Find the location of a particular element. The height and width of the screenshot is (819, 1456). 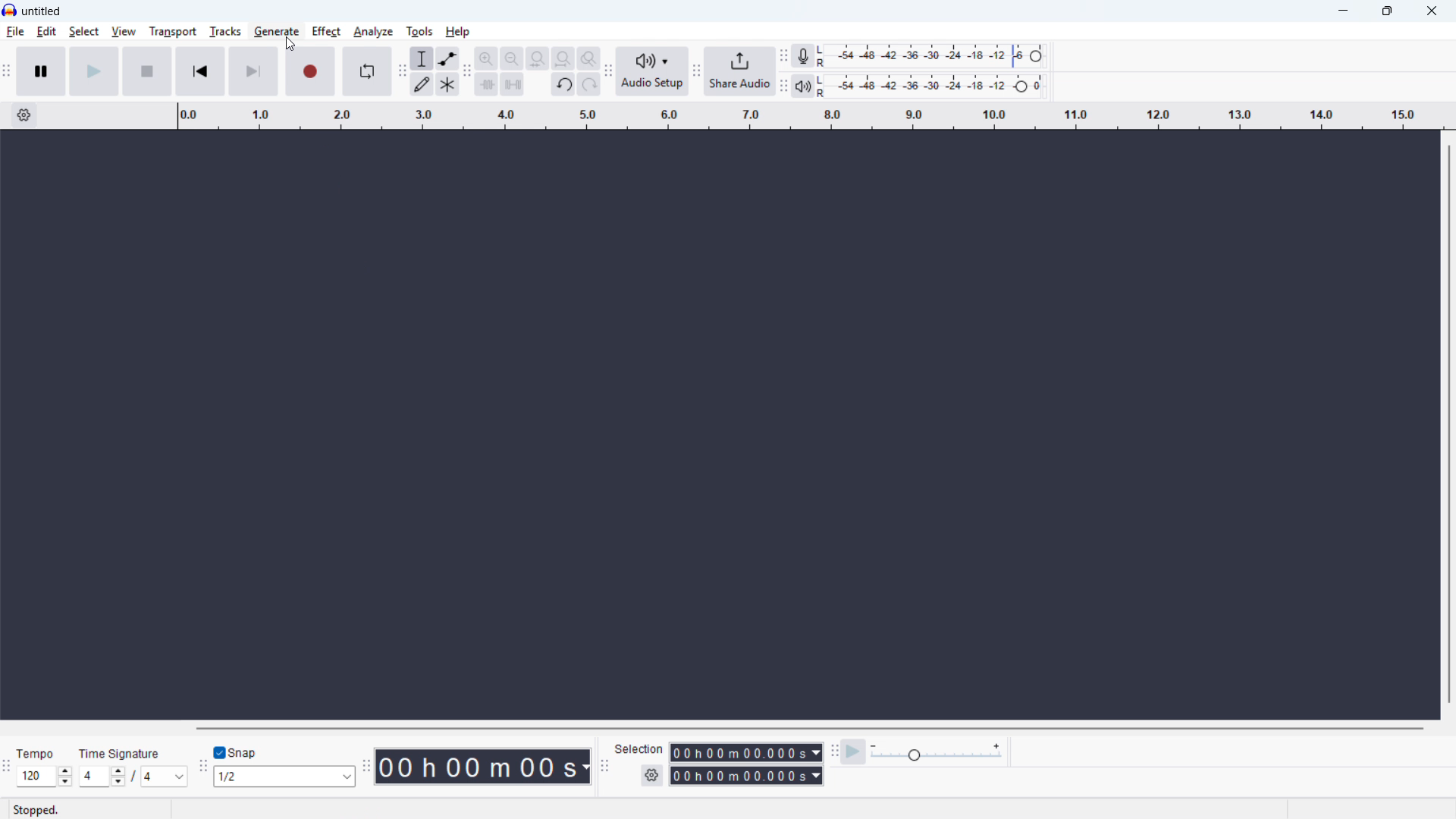

Timestamp  is located at coordinates (483, 767).